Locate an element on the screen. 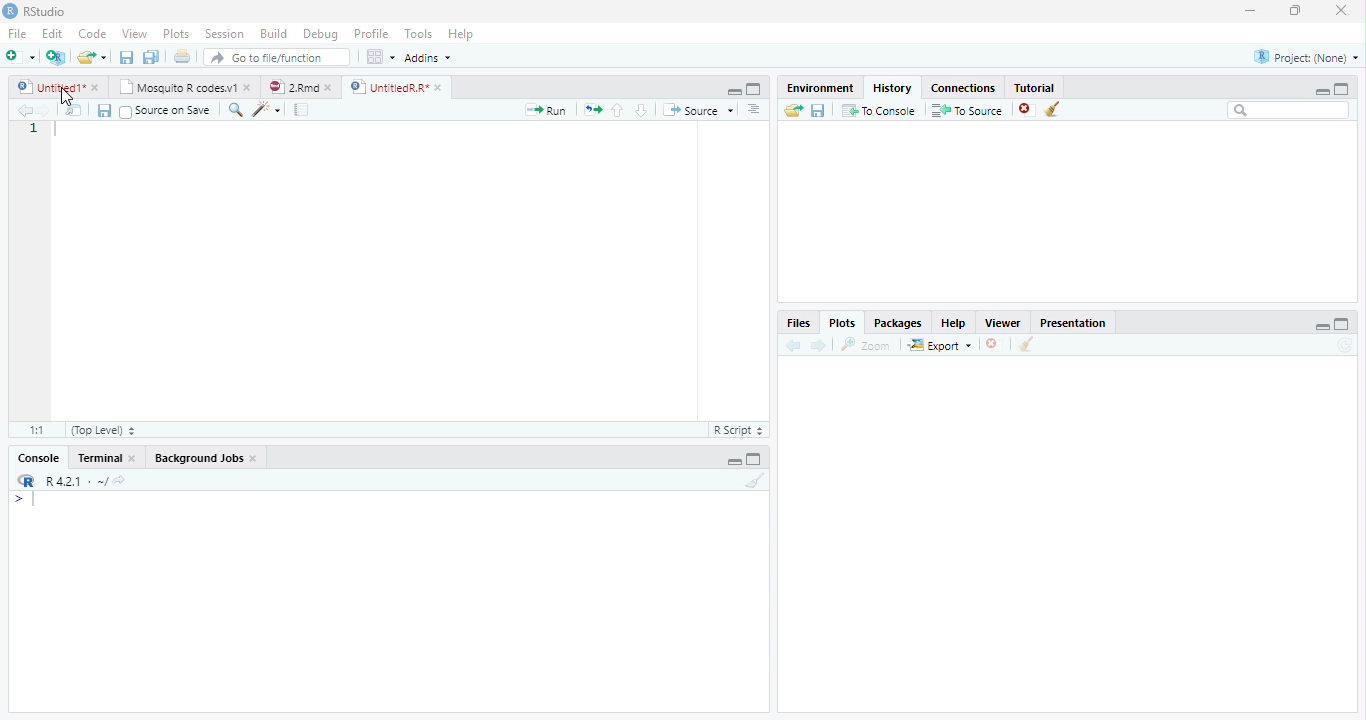 The image size is (1366, 720). Print is located at coordinates (184, 58).